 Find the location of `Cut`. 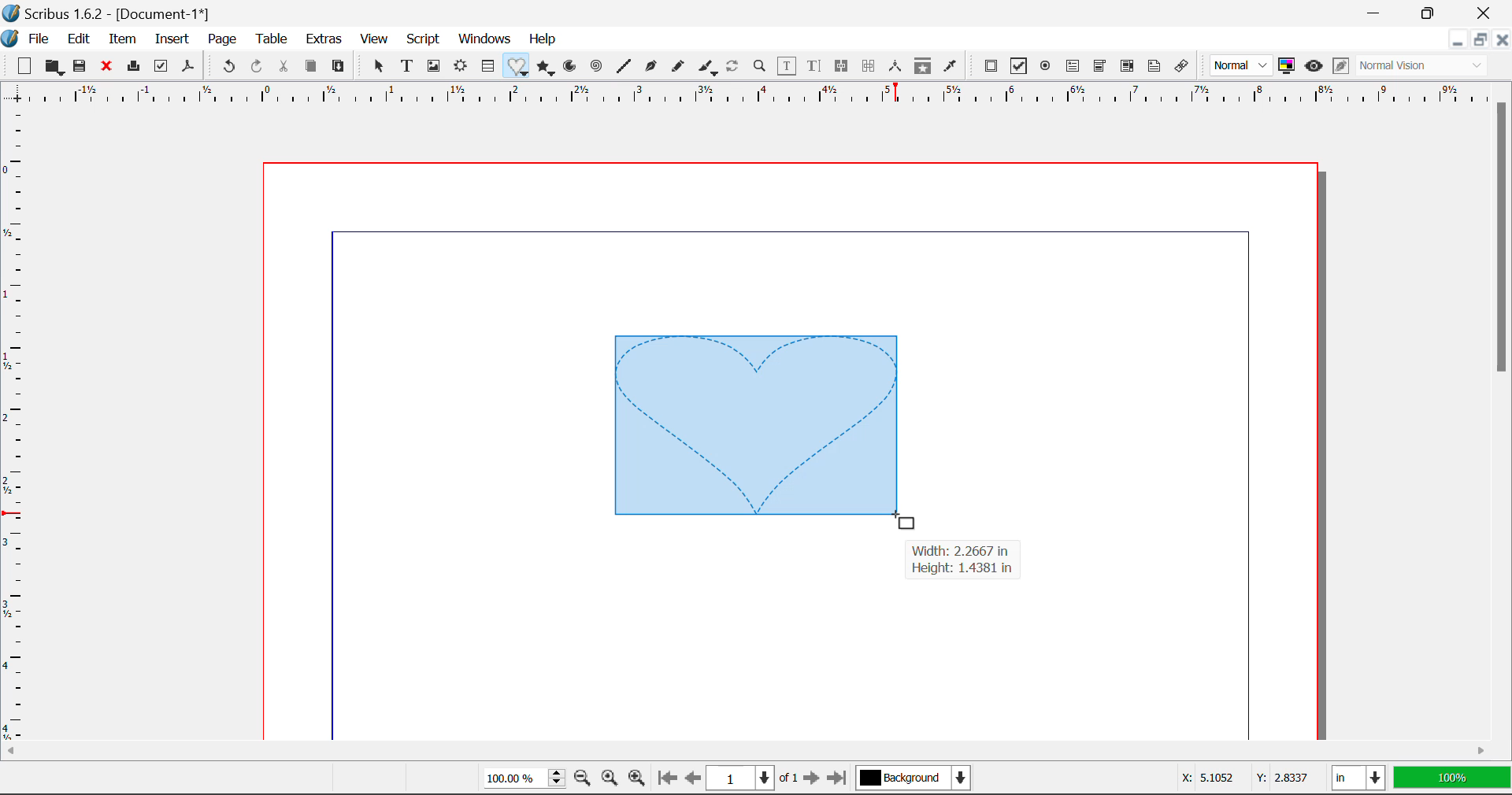

Cut is located at coordinates (287, 65).